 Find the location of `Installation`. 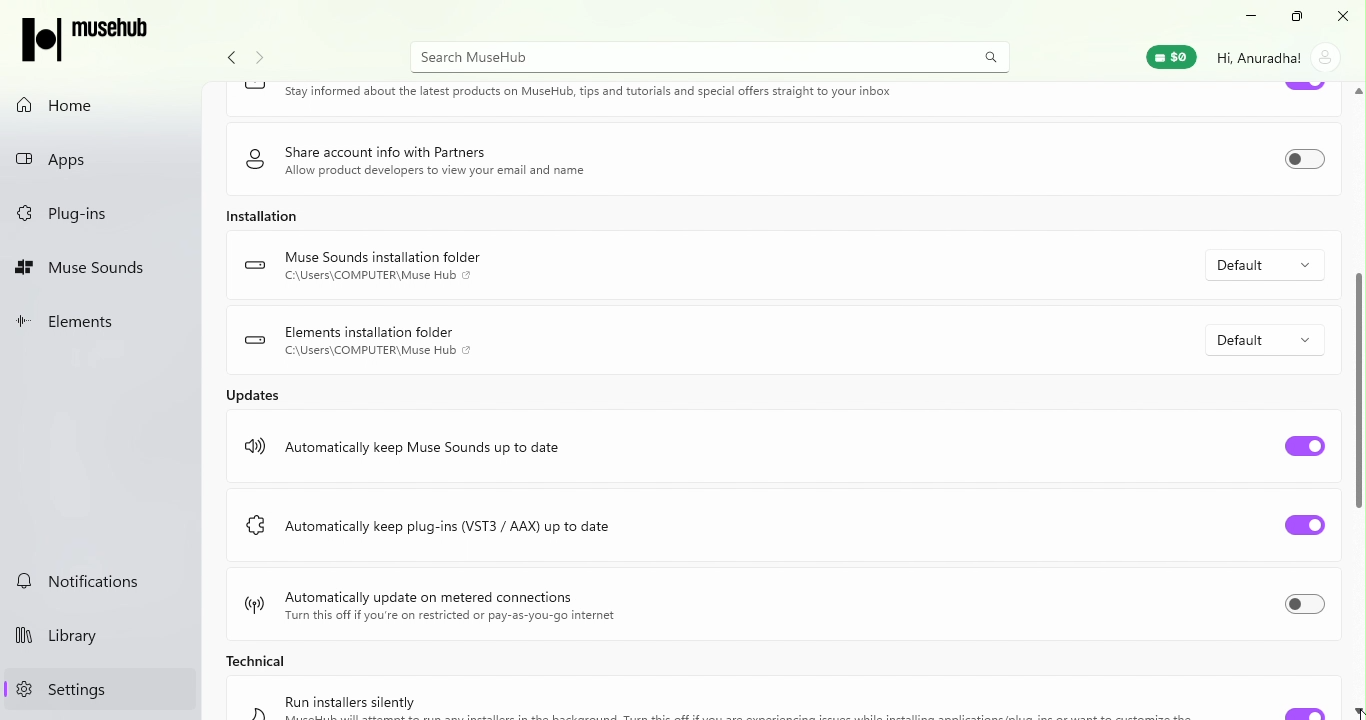

Installation is located at coordinates (262, 215).